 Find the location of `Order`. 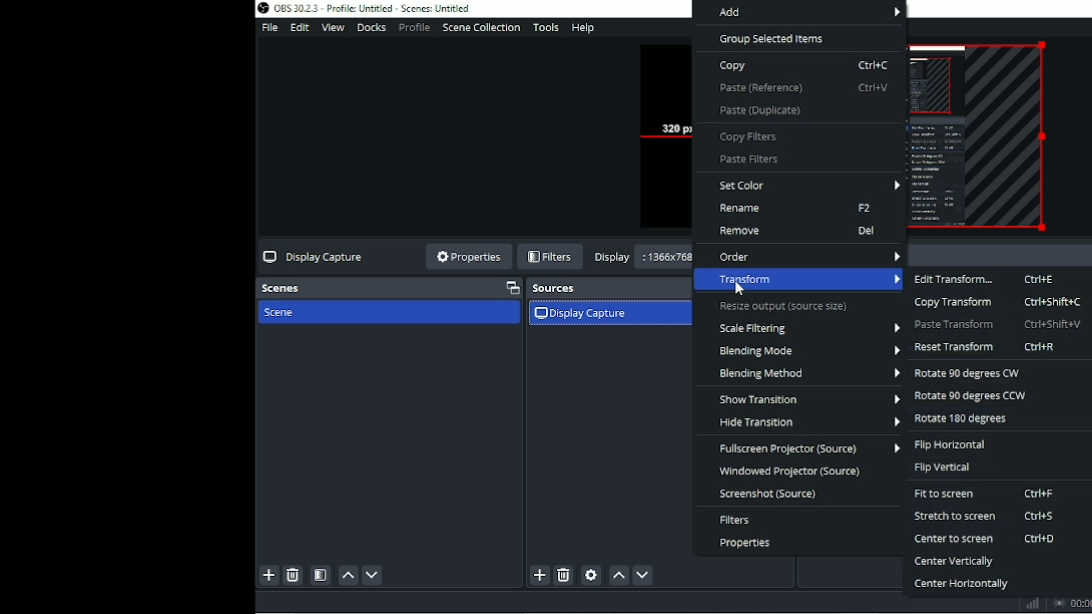

Order is located at coordinates (805, 256).